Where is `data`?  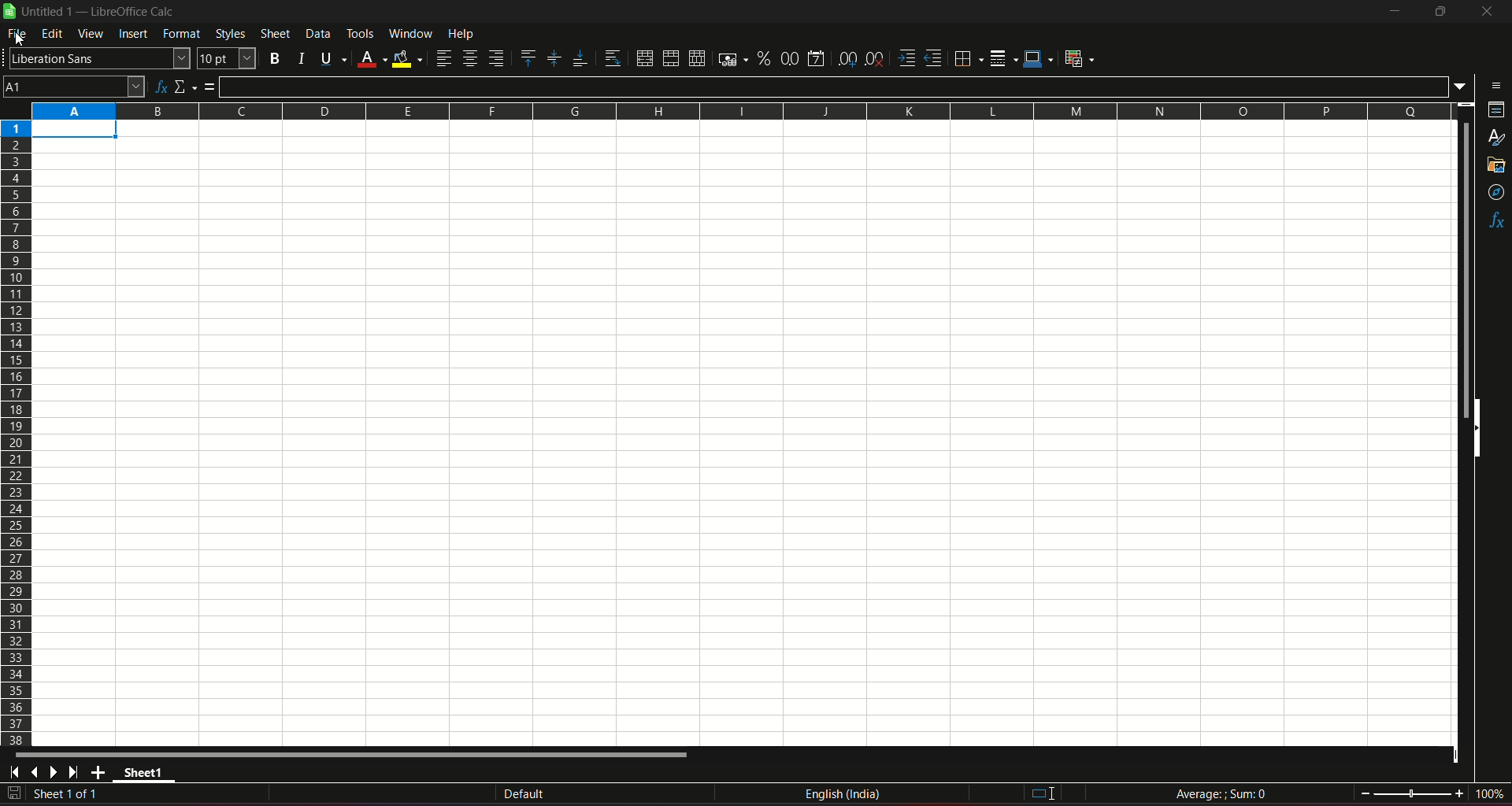 data is located at coordinates (317, 34).